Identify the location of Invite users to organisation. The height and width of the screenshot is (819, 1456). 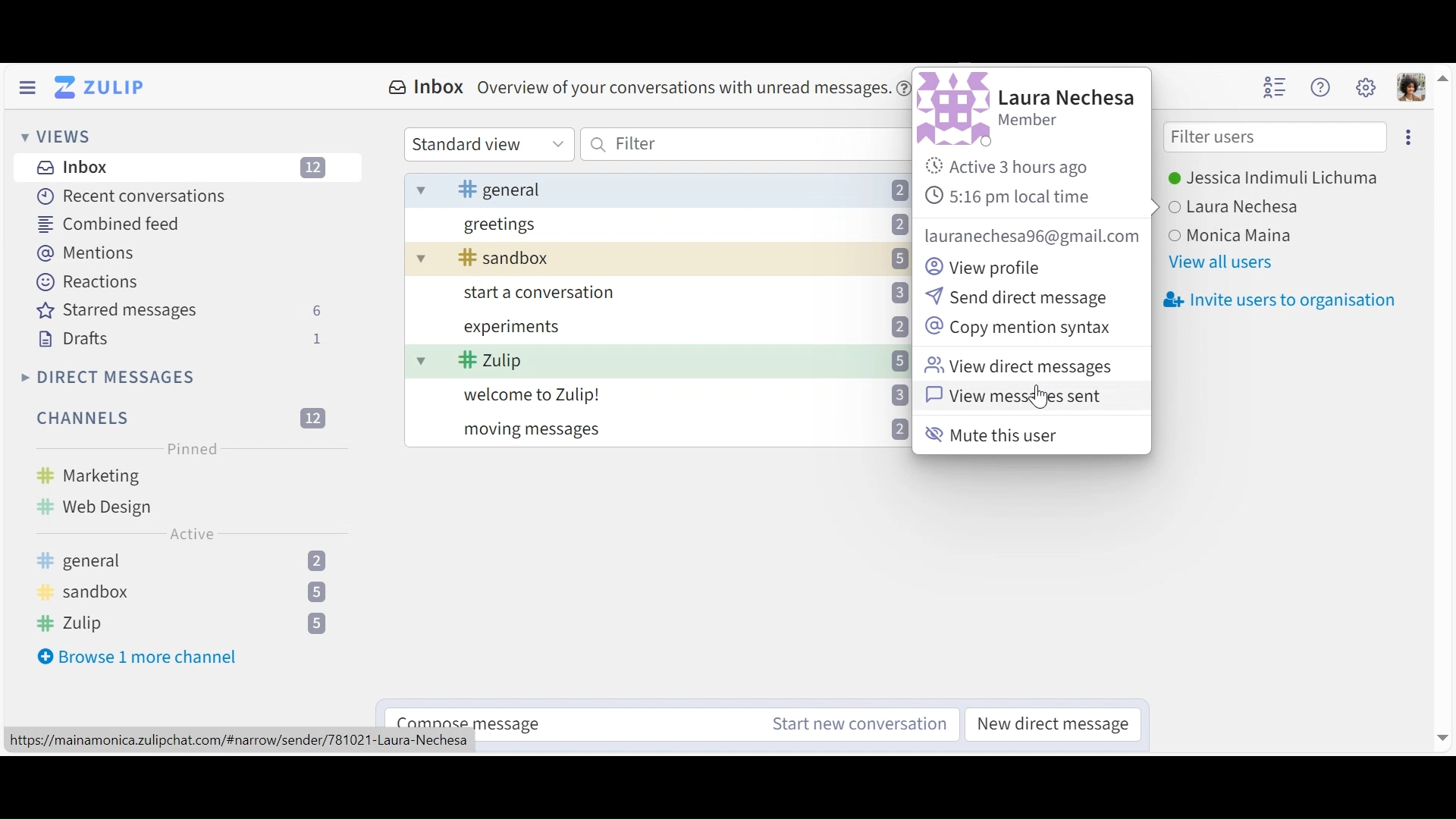
(1277, 300).